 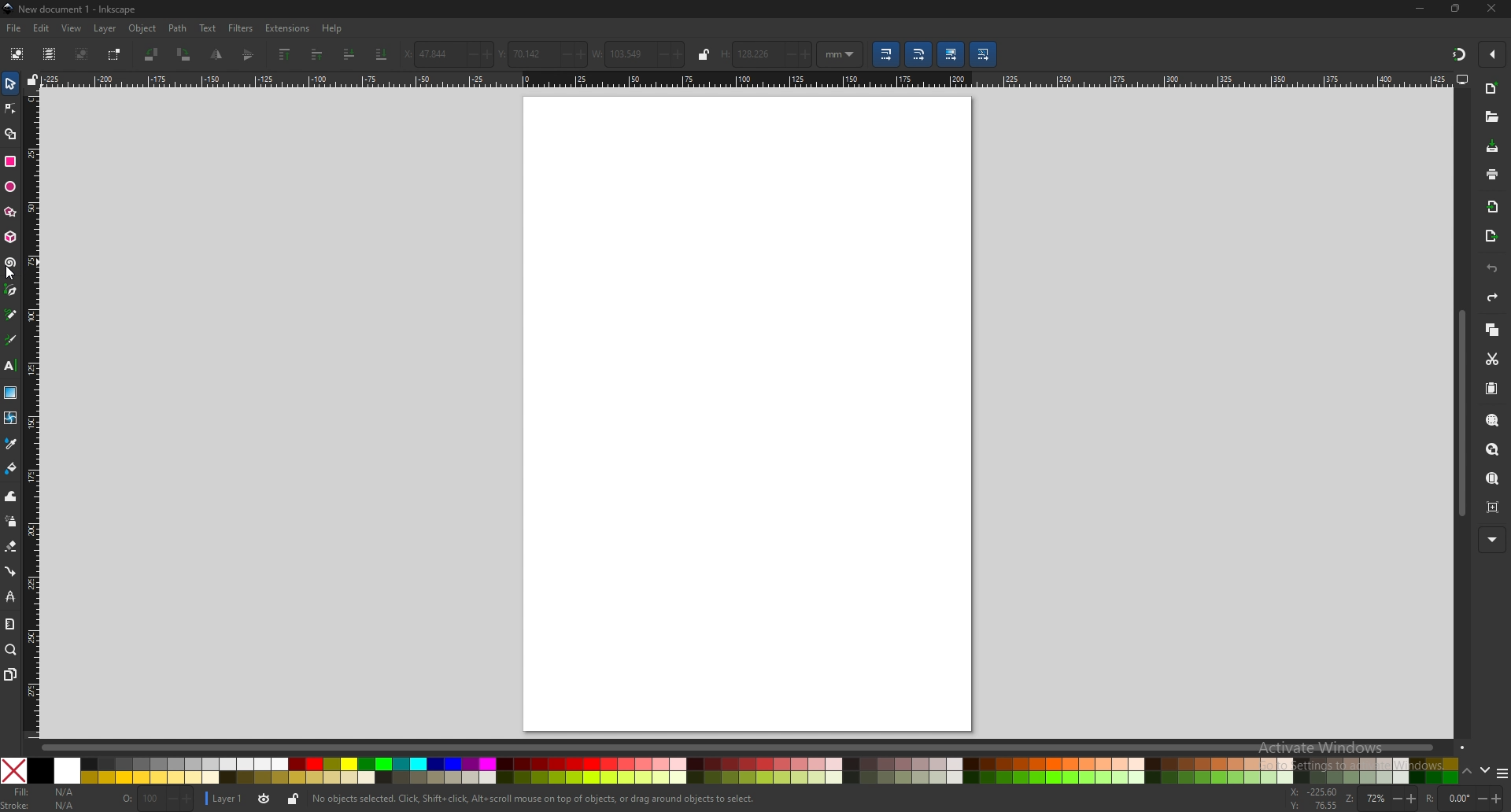 What do you see at coordinates (249, 57) in the screenshot?
I see `flip vertical` at bounding box center [249, 57].